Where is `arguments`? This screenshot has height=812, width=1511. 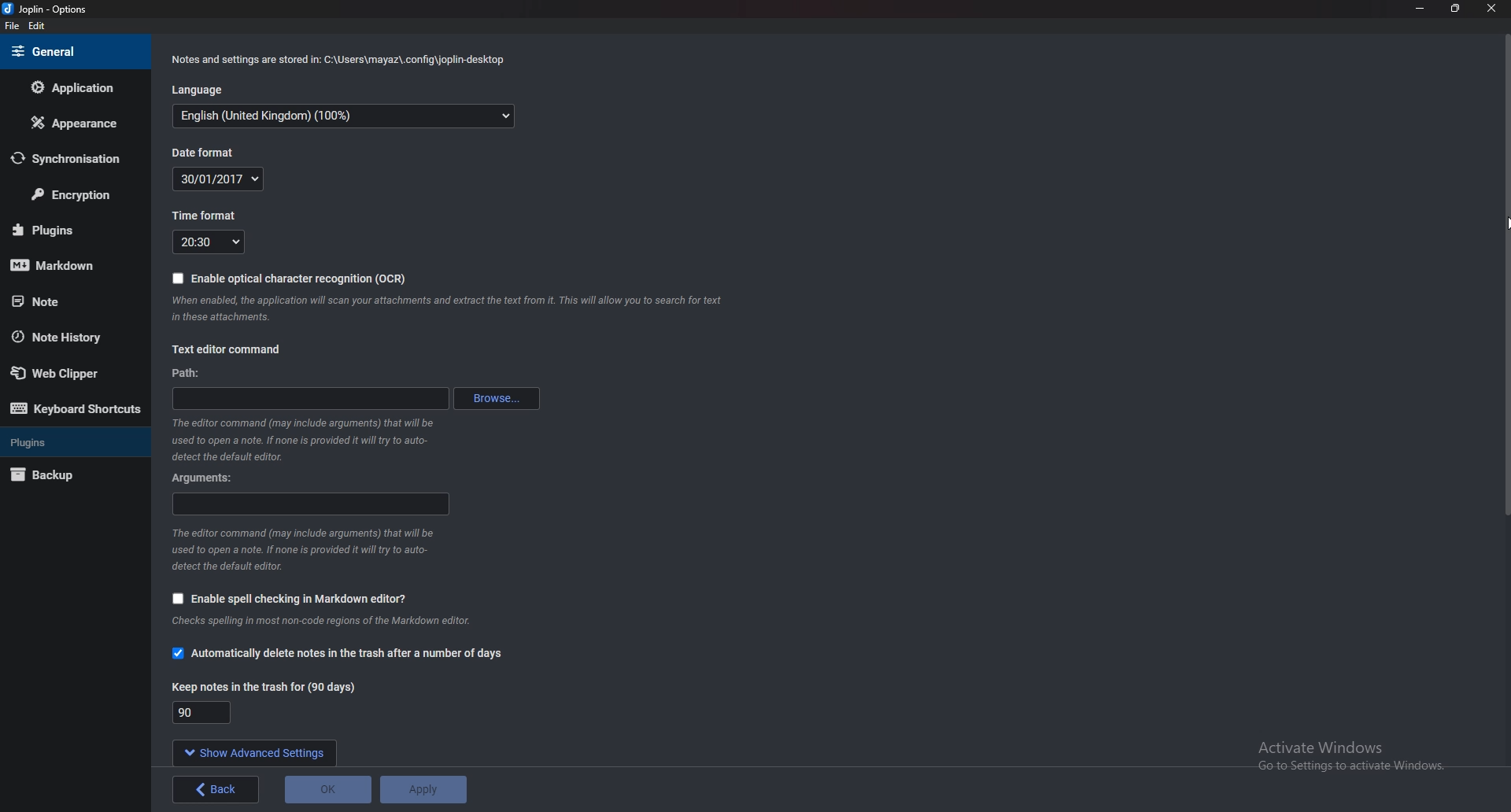 arguments is located at coordinates (313, 504).